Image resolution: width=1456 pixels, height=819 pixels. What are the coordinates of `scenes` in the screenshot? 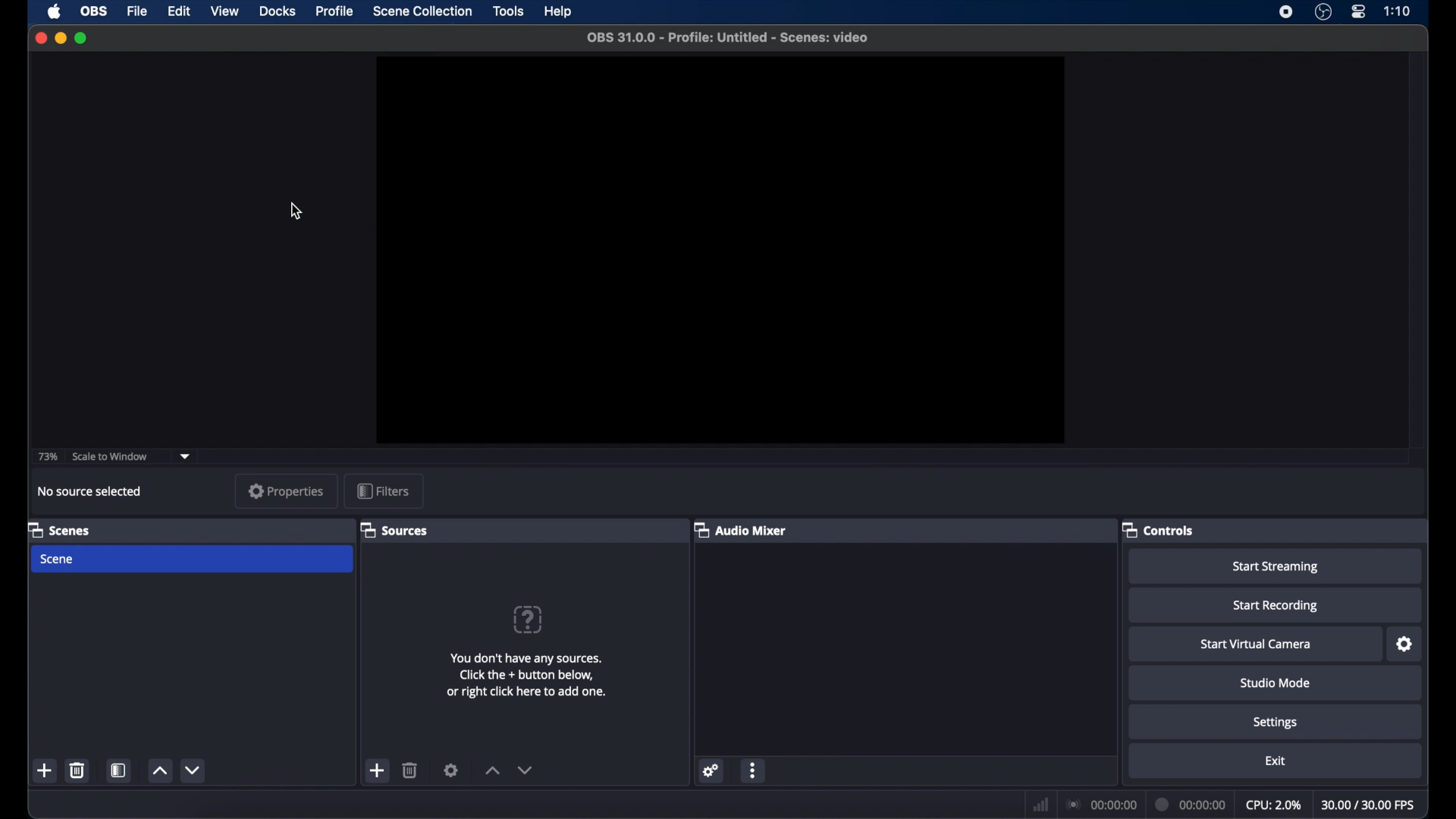 It's located at (58, 529).